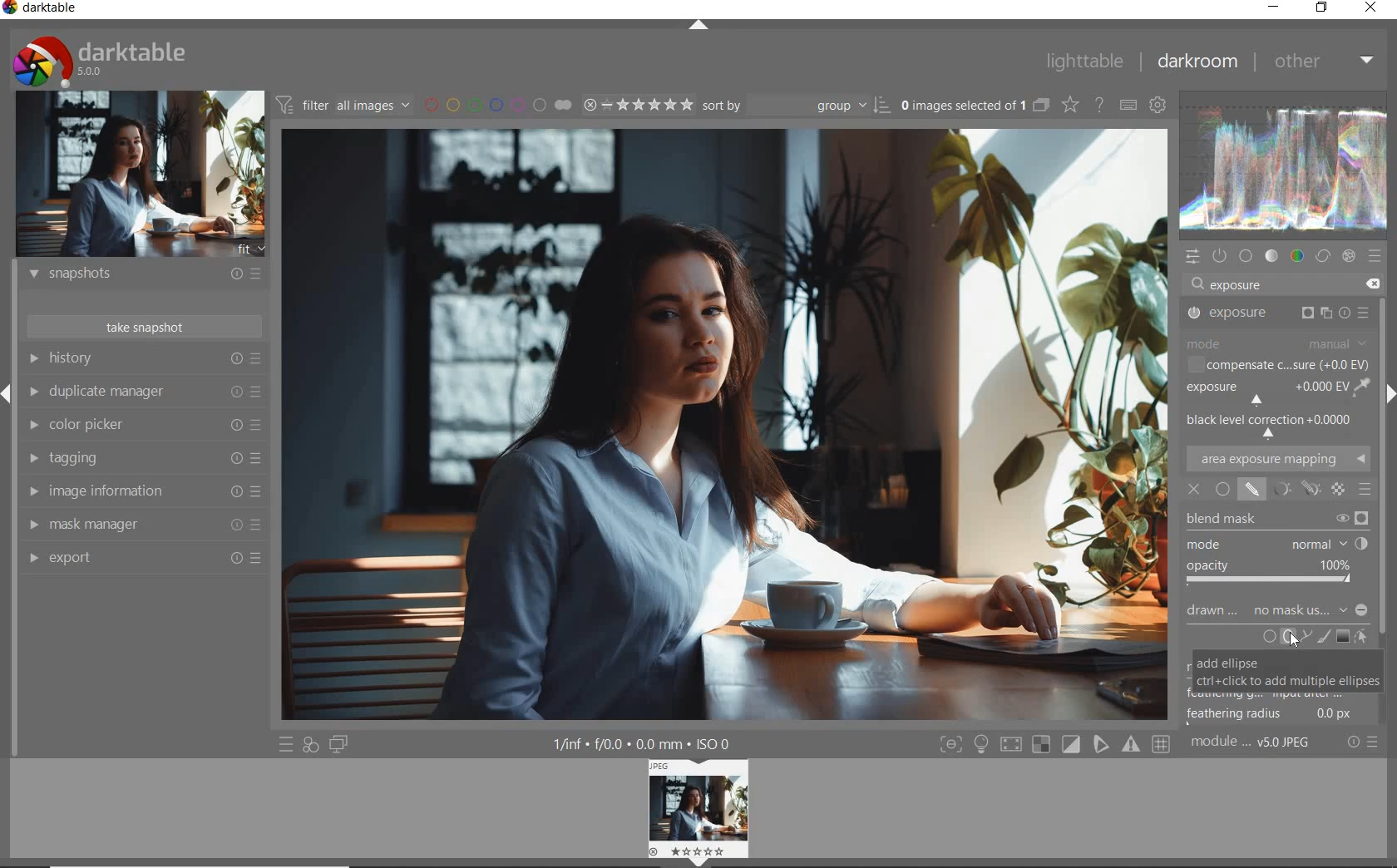 This screenshot has height=868, width=1397. What do you see at coordinates (1291, 489) in the screenshot?
I see `MASK OPTIONS` at bounding box center [1291, 489].